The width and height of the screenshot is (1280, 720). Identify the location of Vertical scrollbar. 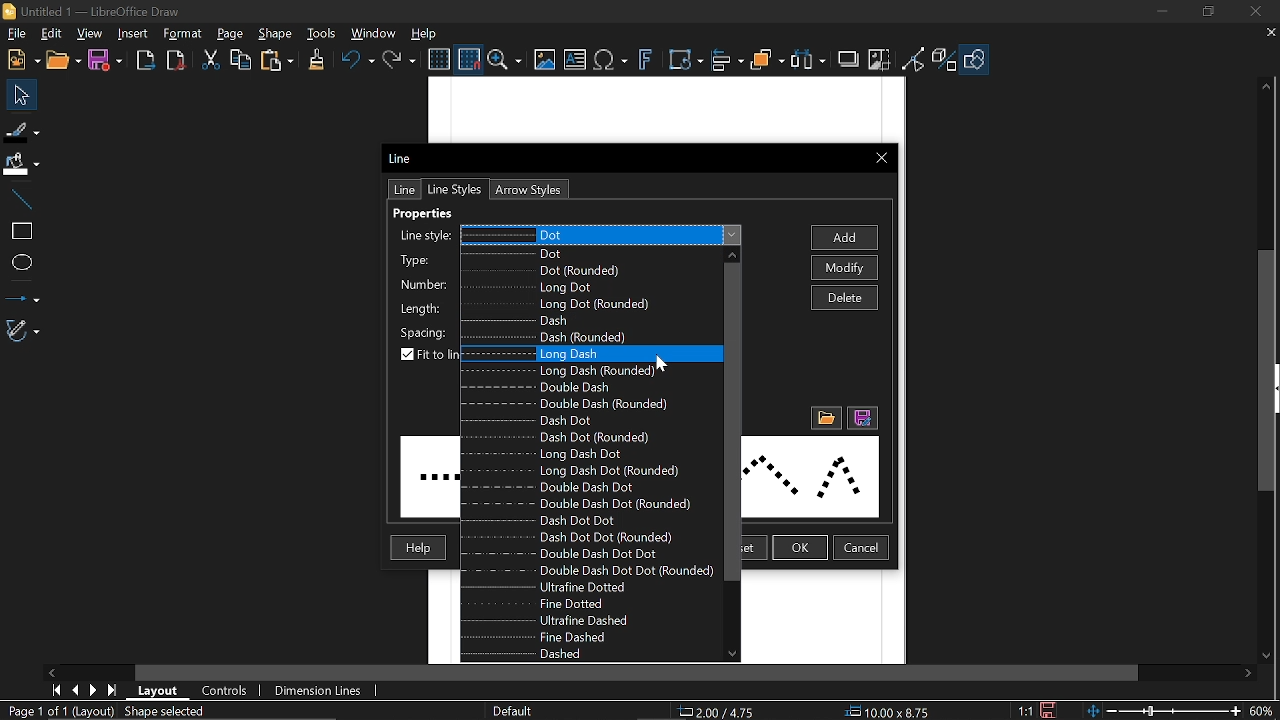
(1271, 371).